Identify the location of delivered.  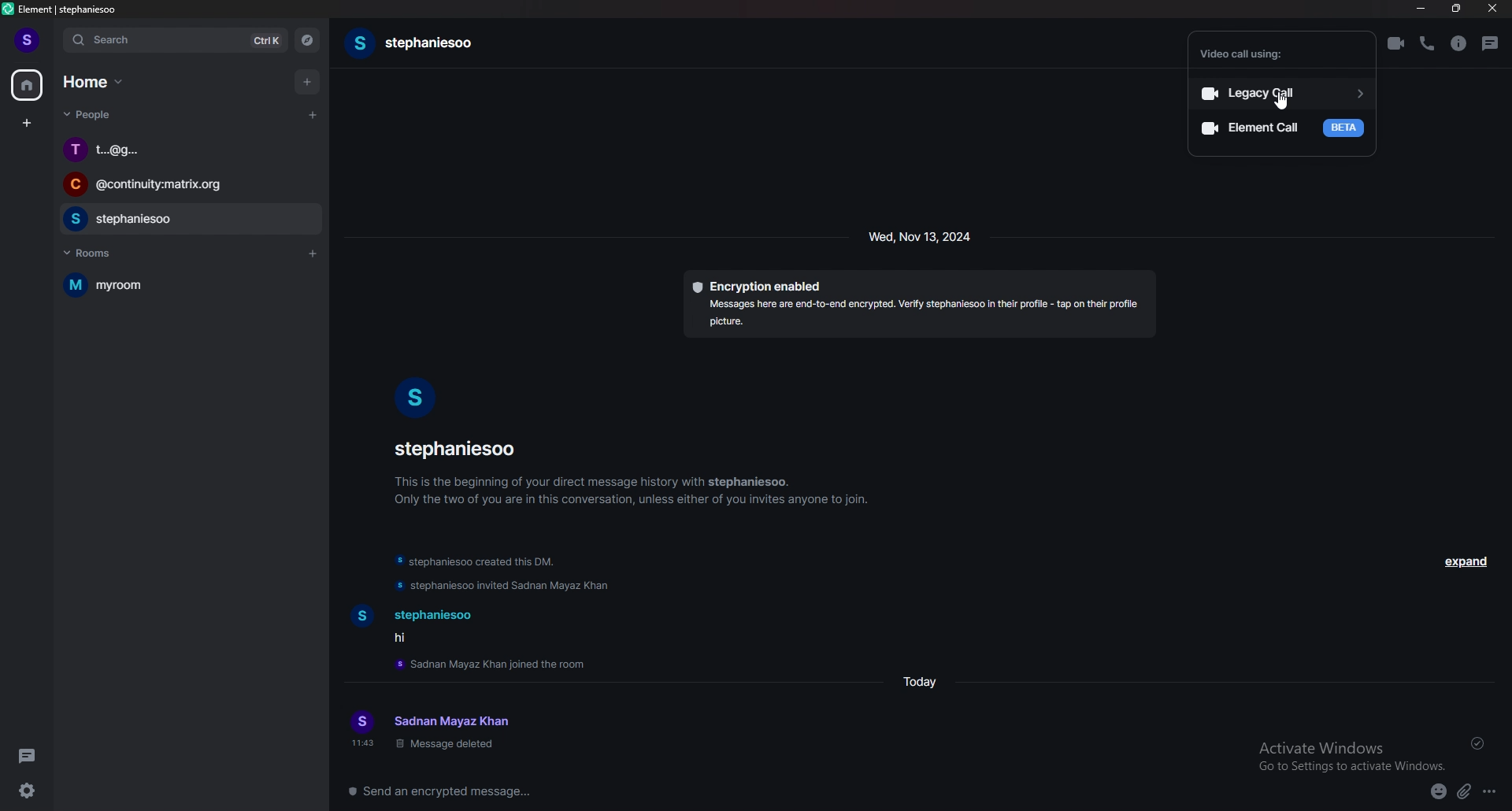
(1478, 744).